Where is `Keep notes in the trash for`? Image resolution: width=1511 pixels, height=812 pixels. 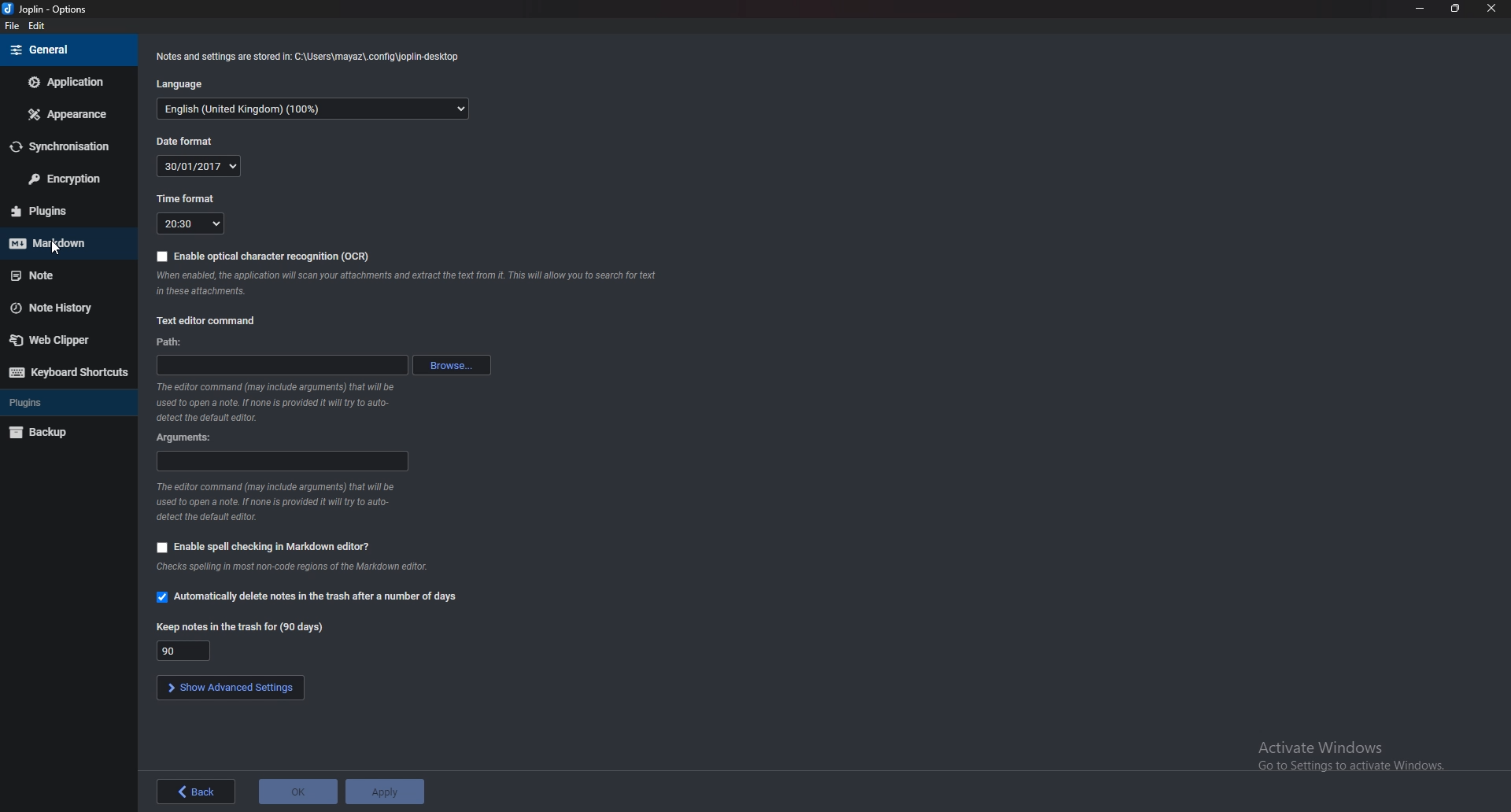 Keep notes in the trash for is located at coordinates (239, 626).